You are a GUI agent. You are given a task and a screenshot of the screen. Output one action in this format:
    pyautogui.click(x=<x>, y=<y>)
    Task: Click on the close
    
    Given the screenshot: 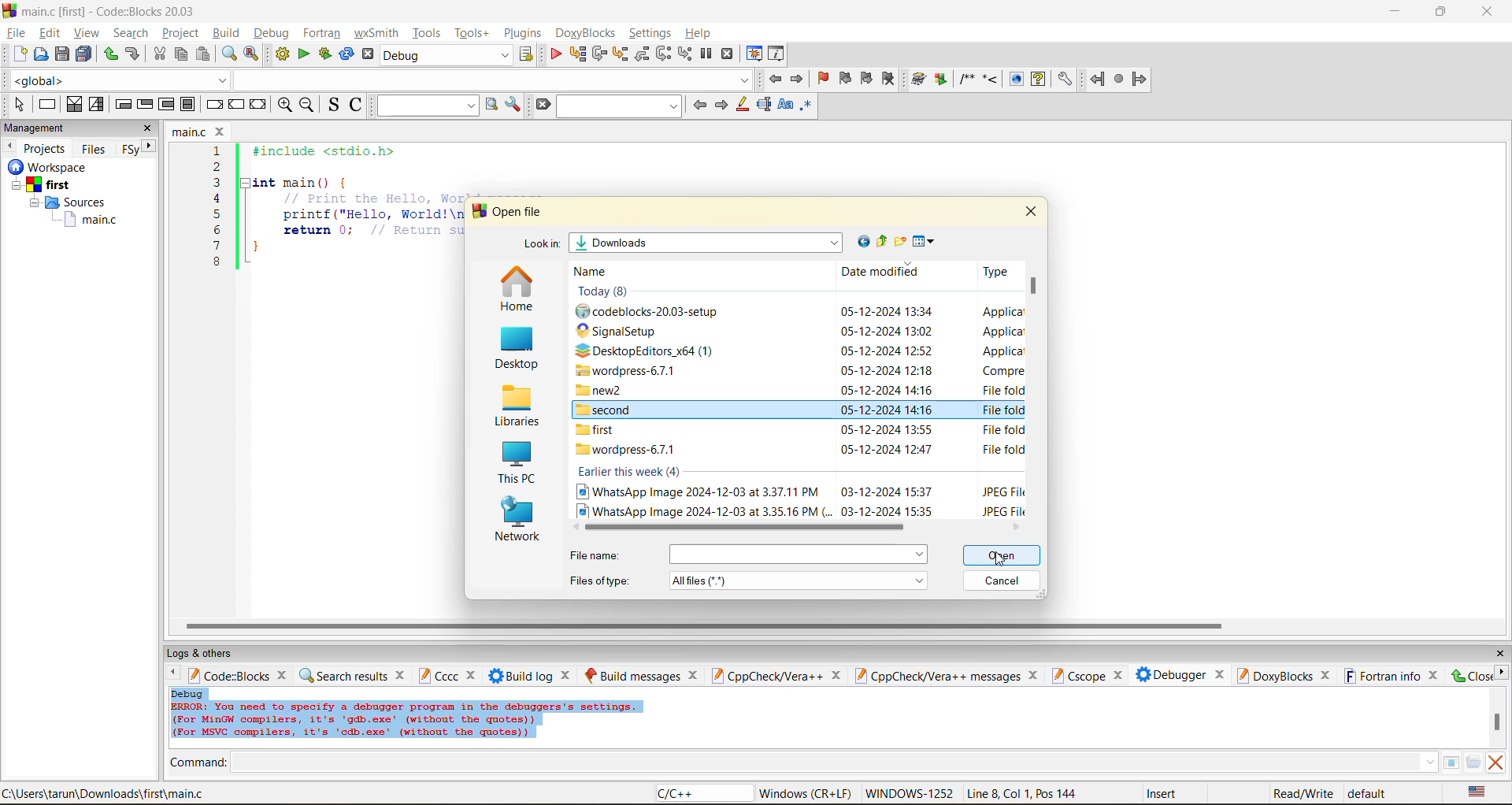 What is the action you would take?
    pyautogui.click(x=222, y=132)
    